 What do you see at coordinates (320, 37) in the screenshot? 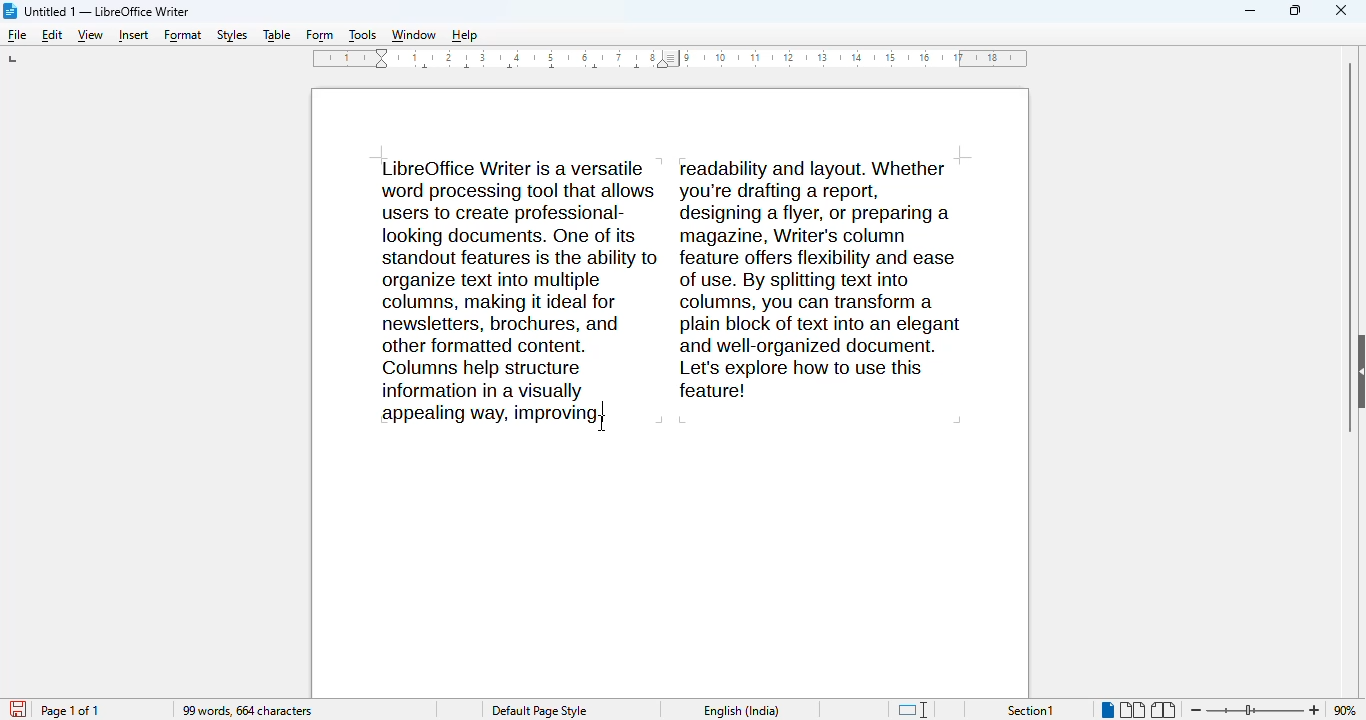
I see `form` at bounding box center [320, 37].